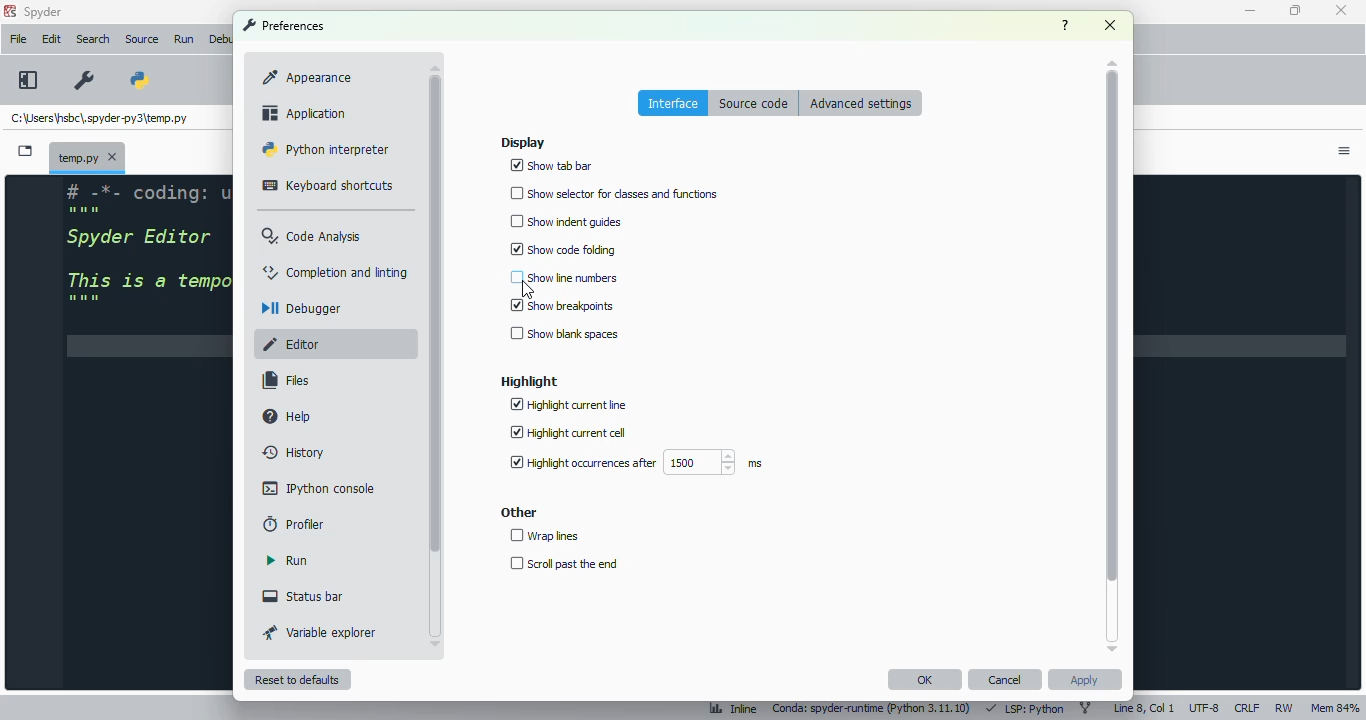 This screenshot has height=720, width=1366. I want to click on reset to defaults, so click(297, 679).